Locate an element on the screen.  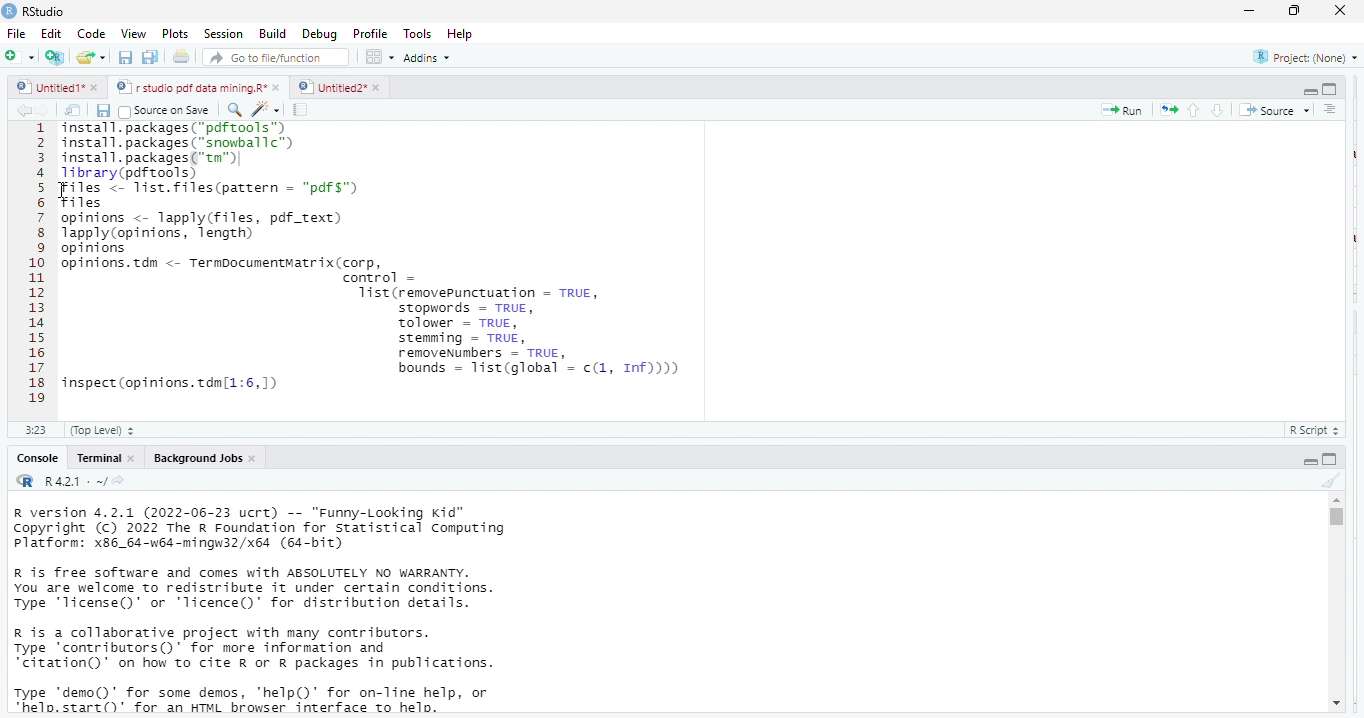
close is located at coordinates (278, 88).